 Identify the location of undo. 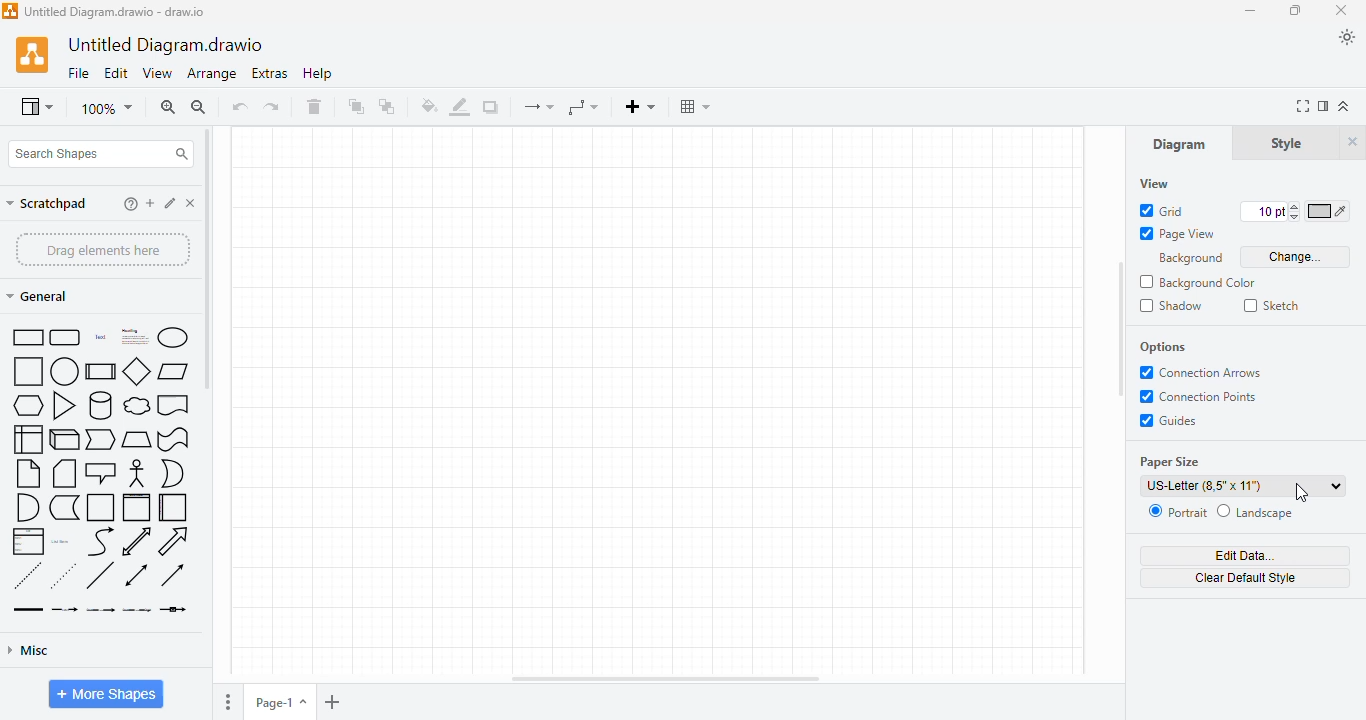
(239, 106).